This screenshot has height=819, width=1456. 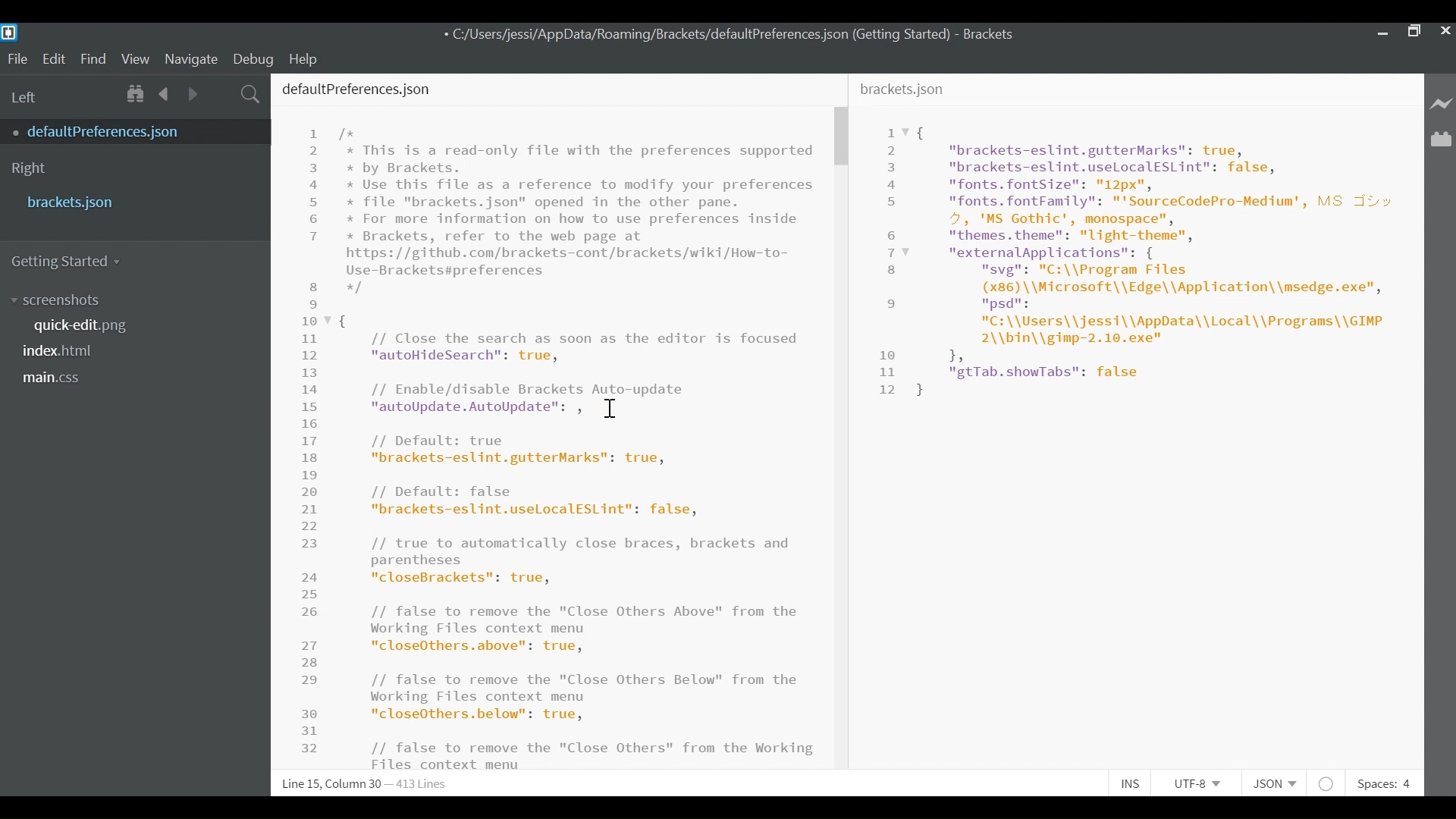 I want to click on minimize, so click(x=1381, y=30).